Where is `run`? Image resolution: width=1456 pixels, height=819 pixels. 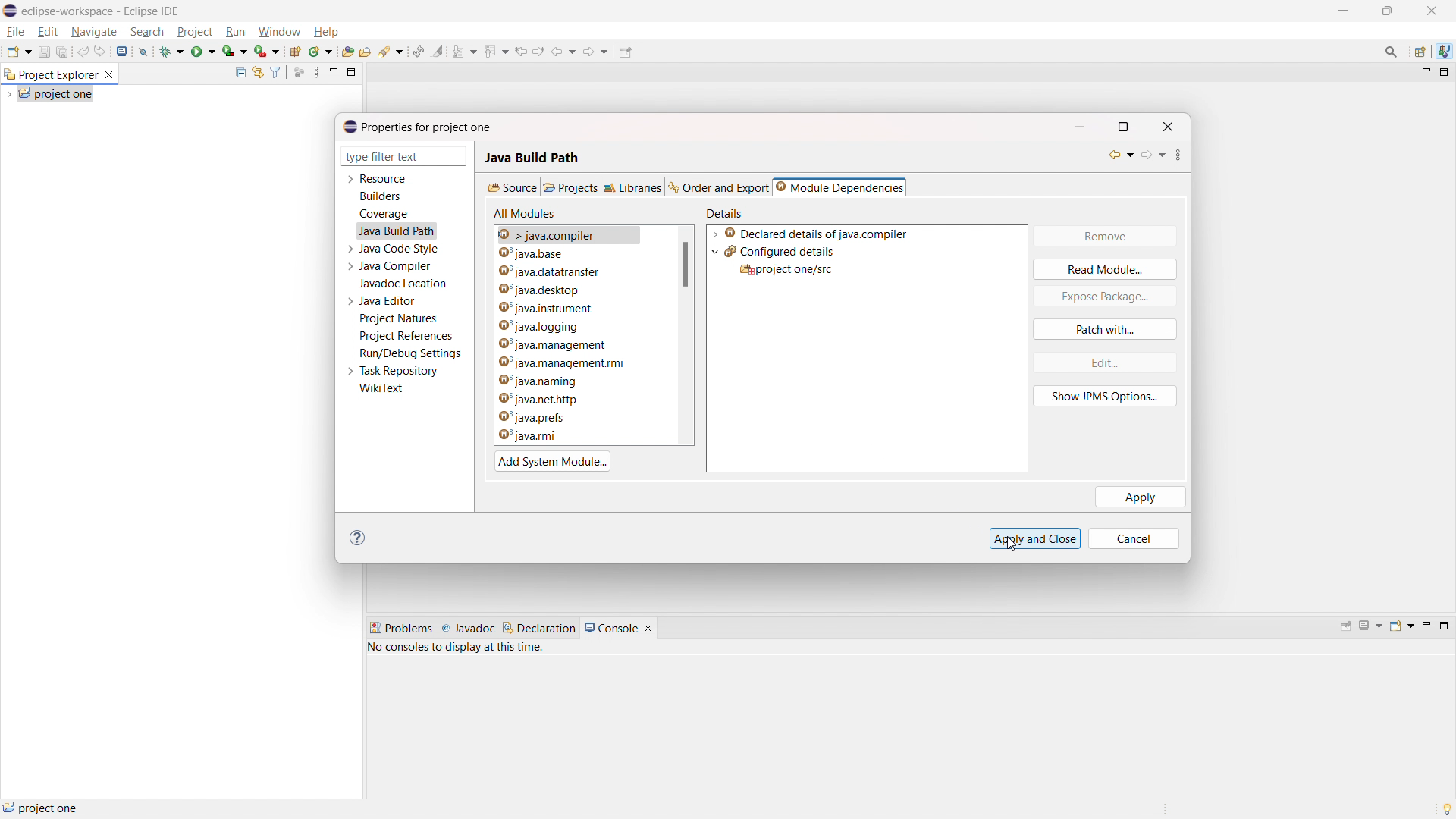 run is located at coordinates (236, 32).